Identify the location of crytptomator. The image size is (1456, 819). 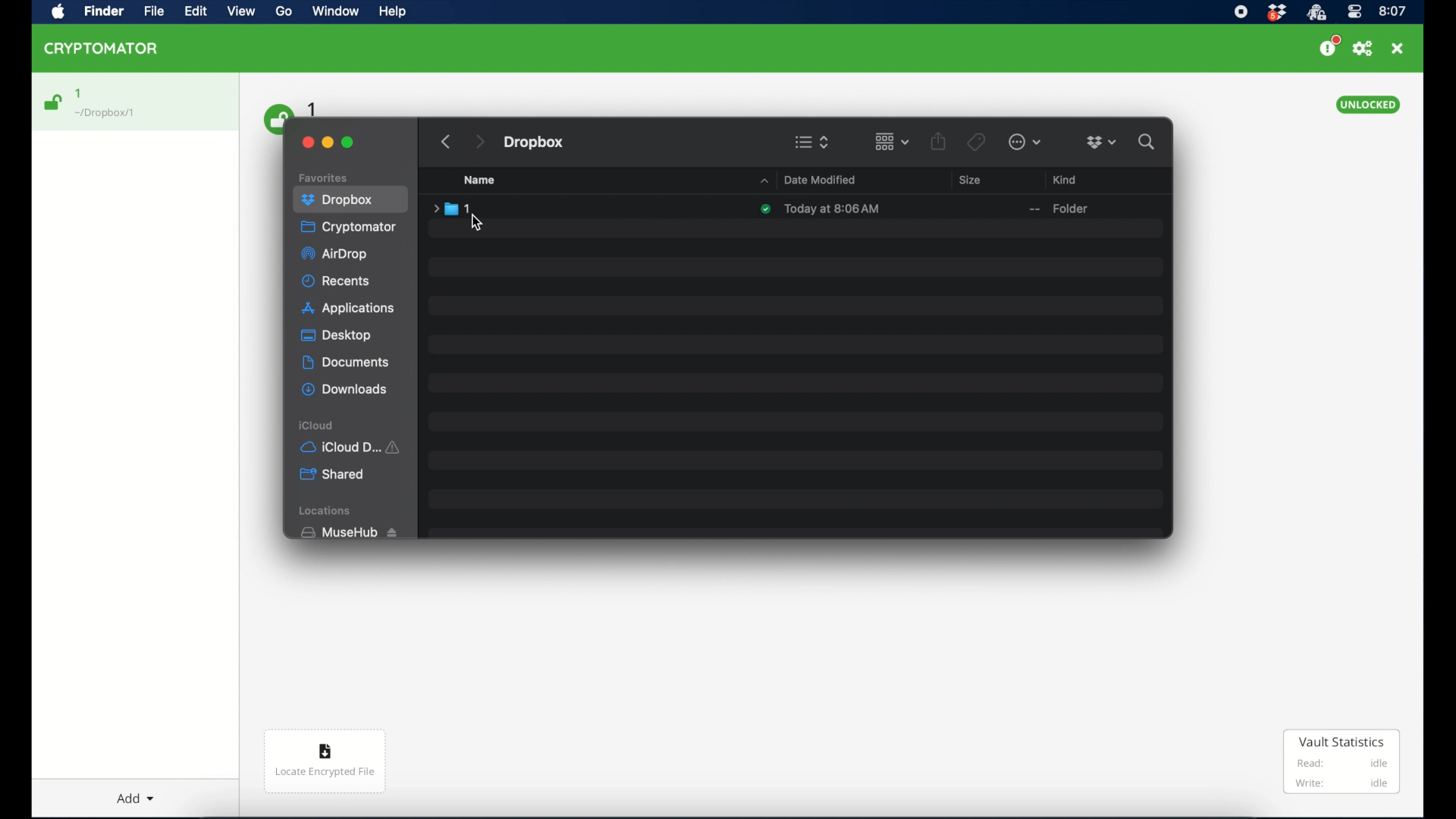
(1316, 13).